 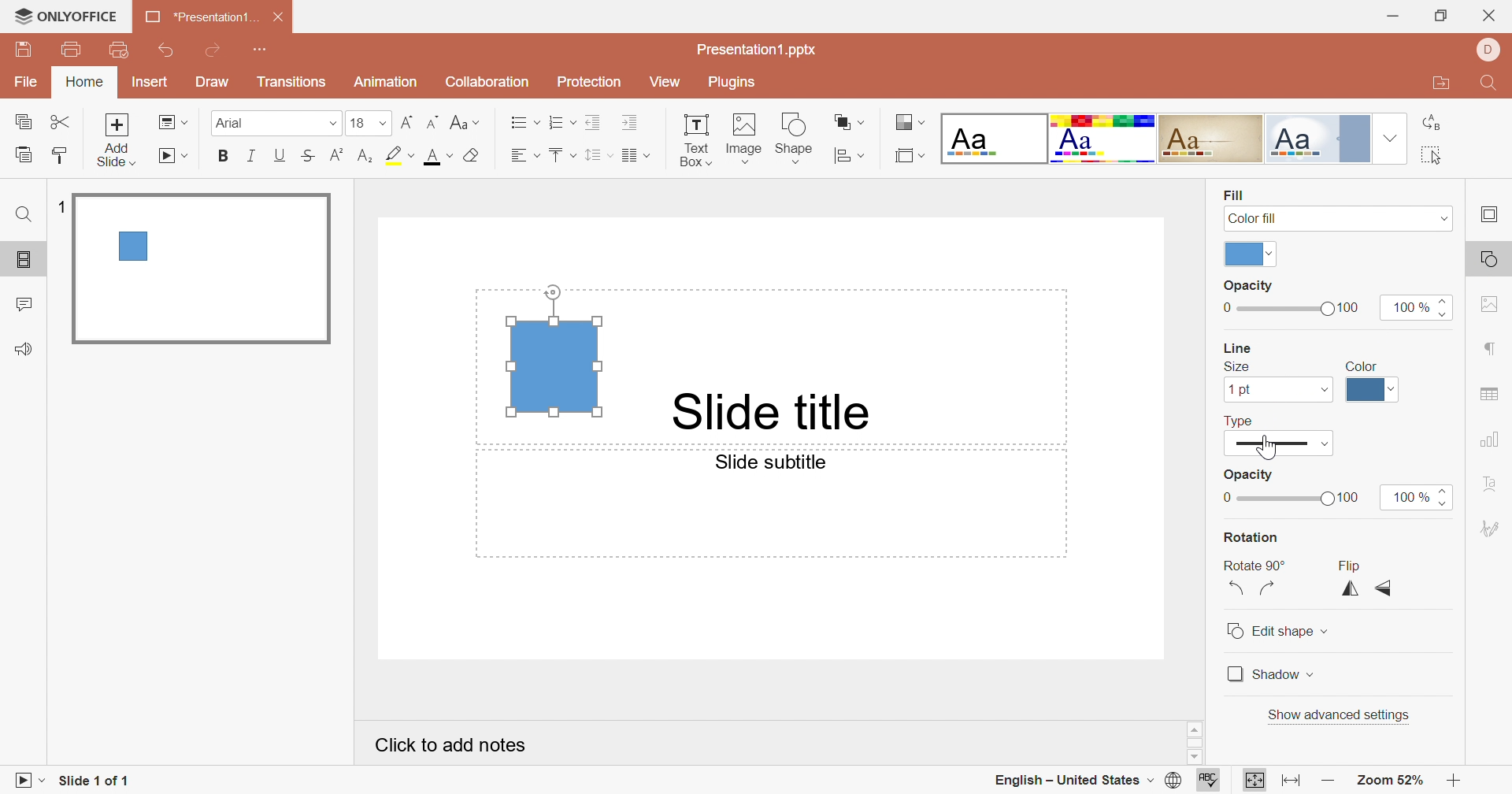 I want to click on Find, so click(x=23, y=217).